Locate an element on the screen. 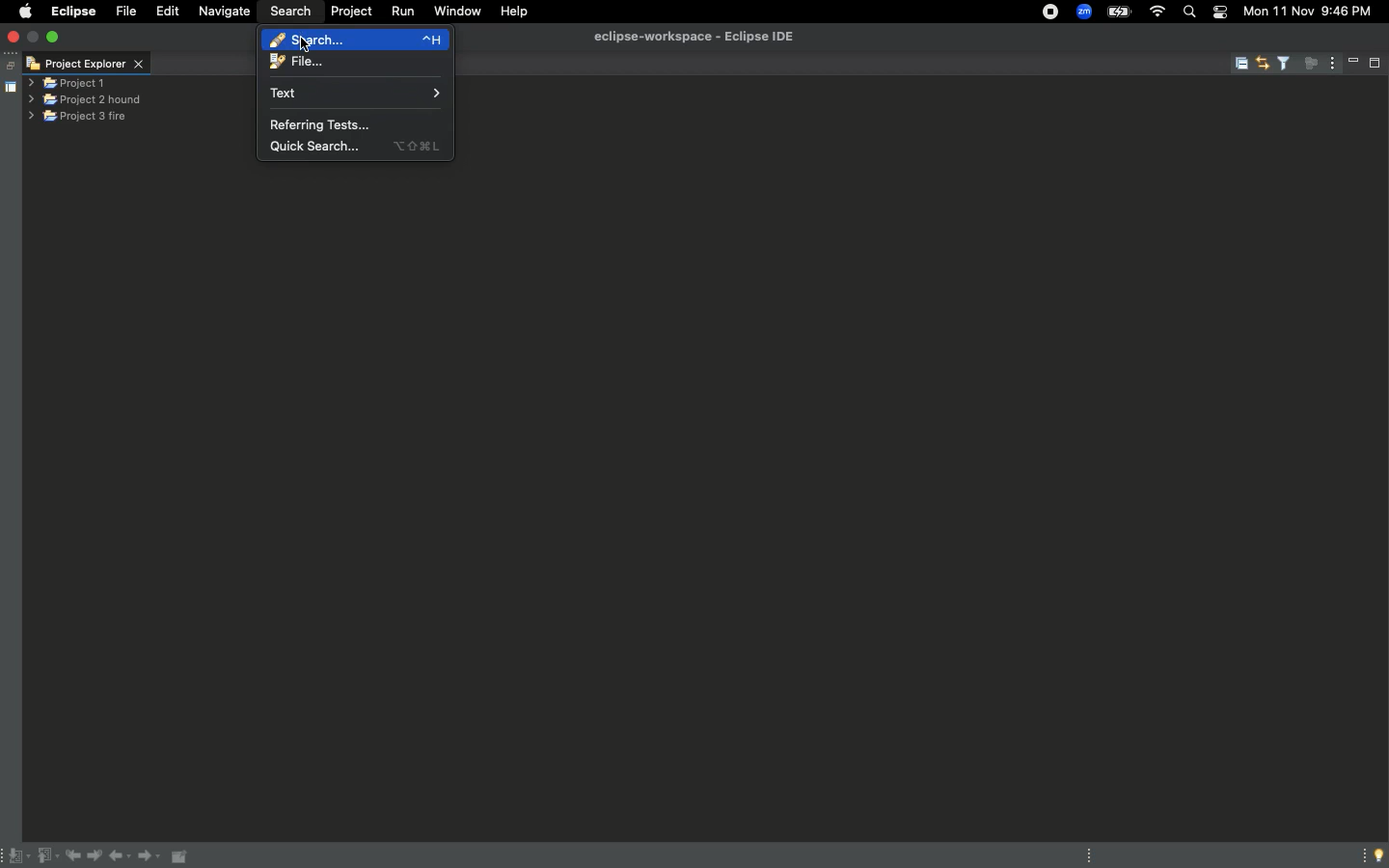  View menu is located at coordinates (1330, 65).